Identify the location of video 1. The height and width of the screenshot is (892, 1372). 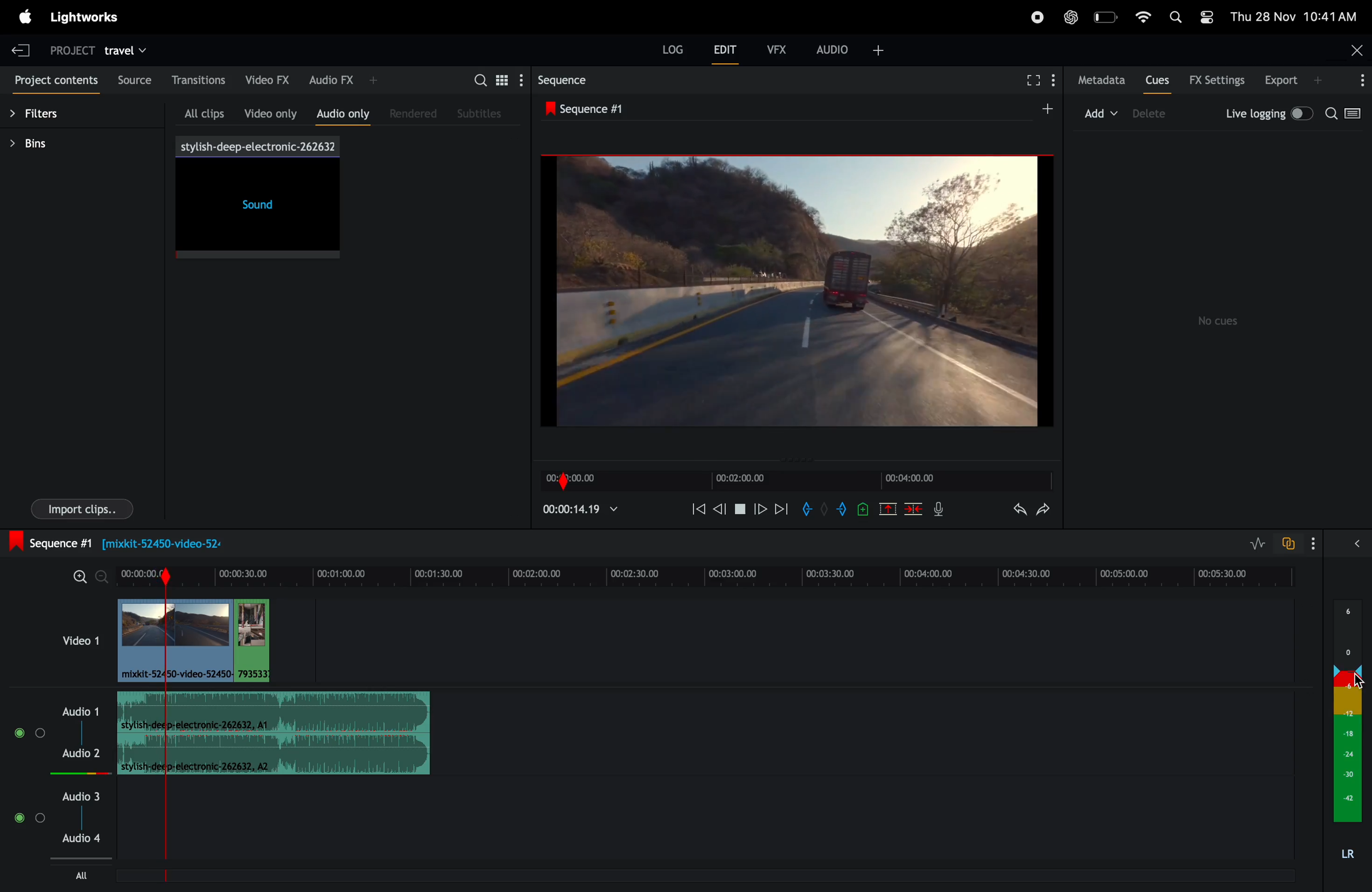
(74, 644).